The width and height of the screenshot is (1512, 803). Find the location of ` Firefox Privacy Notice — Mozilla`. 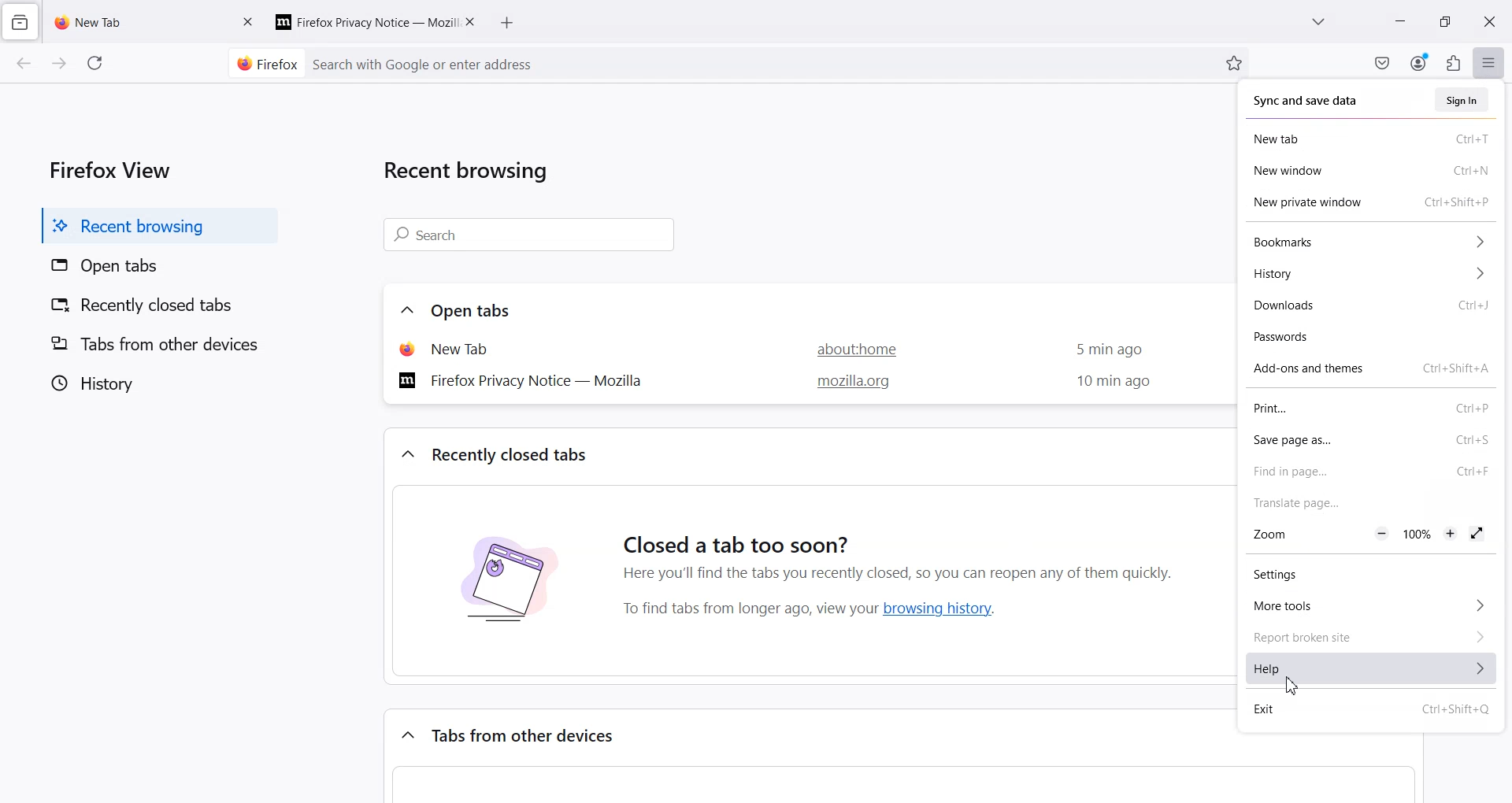

 Firefox Privacy Notice — Mozilla is located at coordinates (526, 379).